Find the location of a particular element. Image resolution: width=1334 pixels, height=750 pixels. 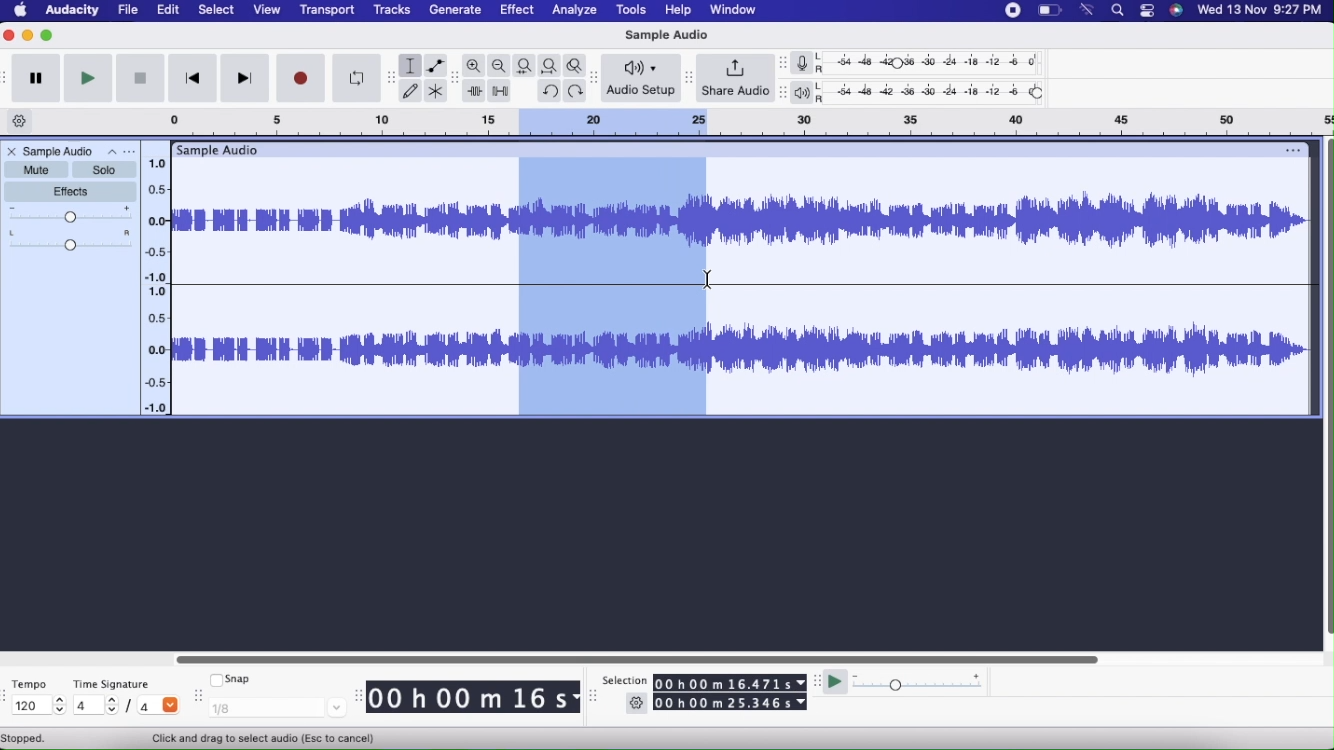

cursor is located at coordinates (711, 280).